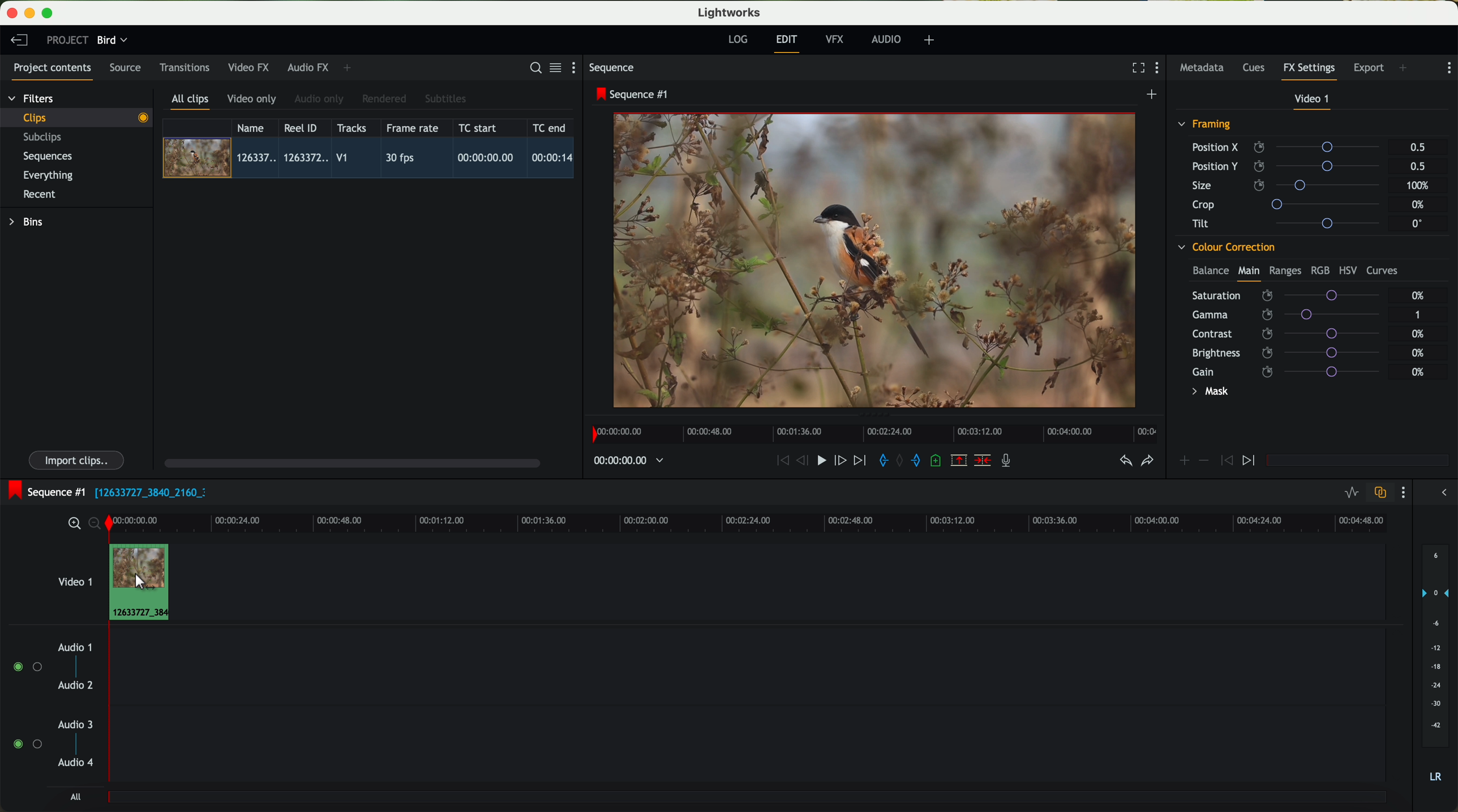  I want to click on show settings menu, so click(1160, 69).